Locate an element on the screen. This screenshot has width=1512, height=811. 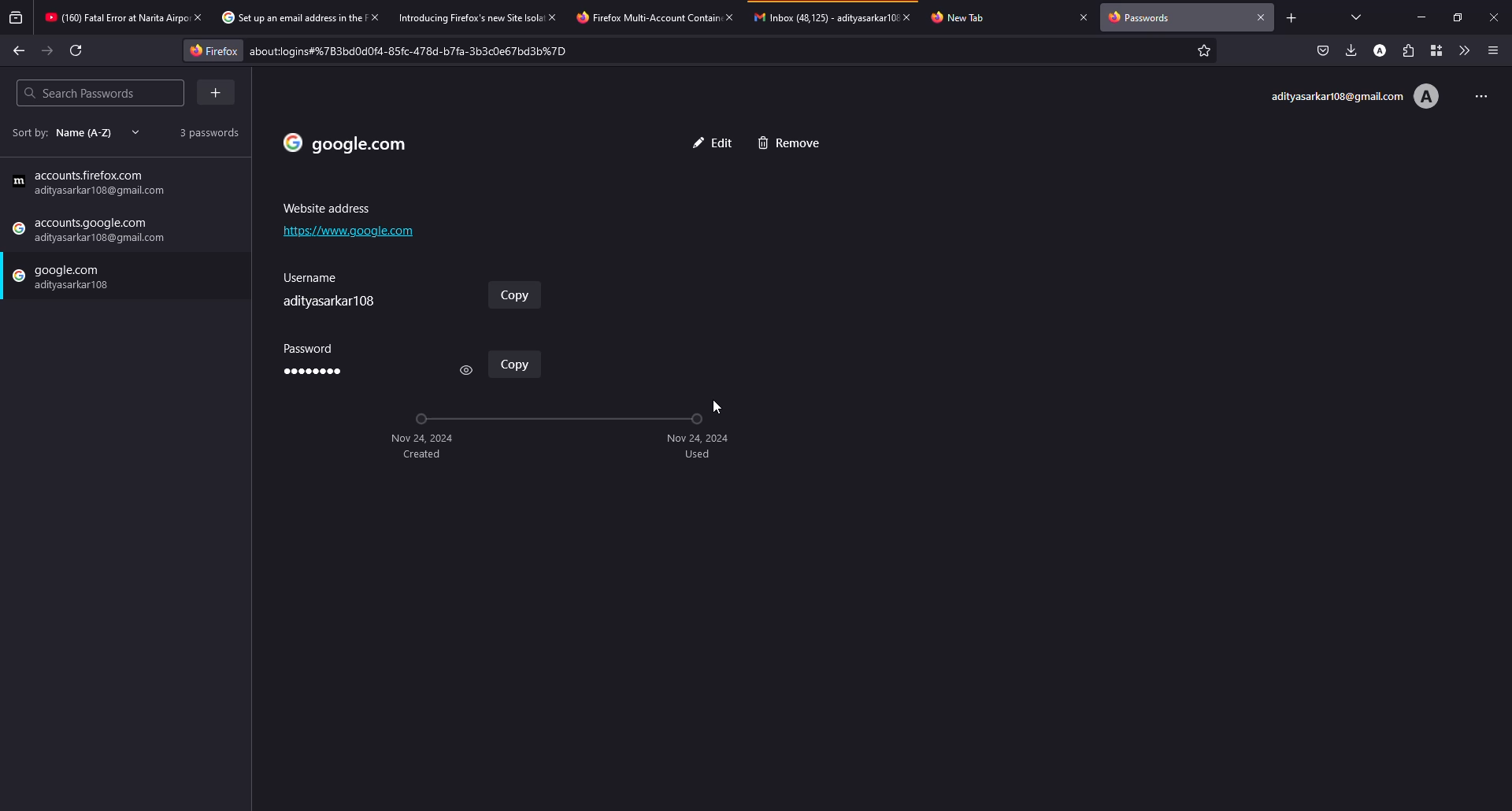
tab is located at coordinates (289, 18).